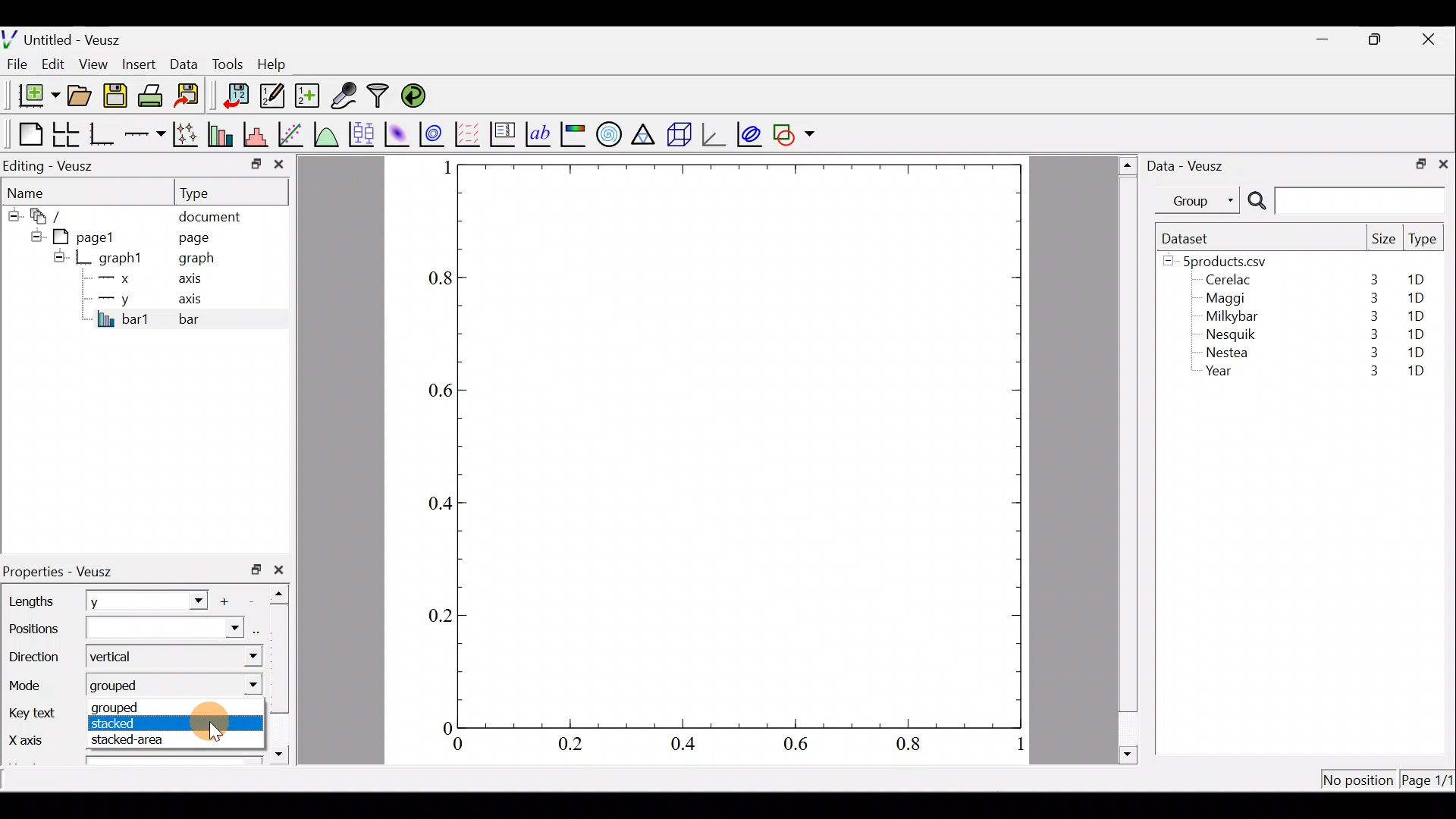 Image resolution: width=1456 pixels, height=819 pixels. I want to click on View, so click(96, 61).